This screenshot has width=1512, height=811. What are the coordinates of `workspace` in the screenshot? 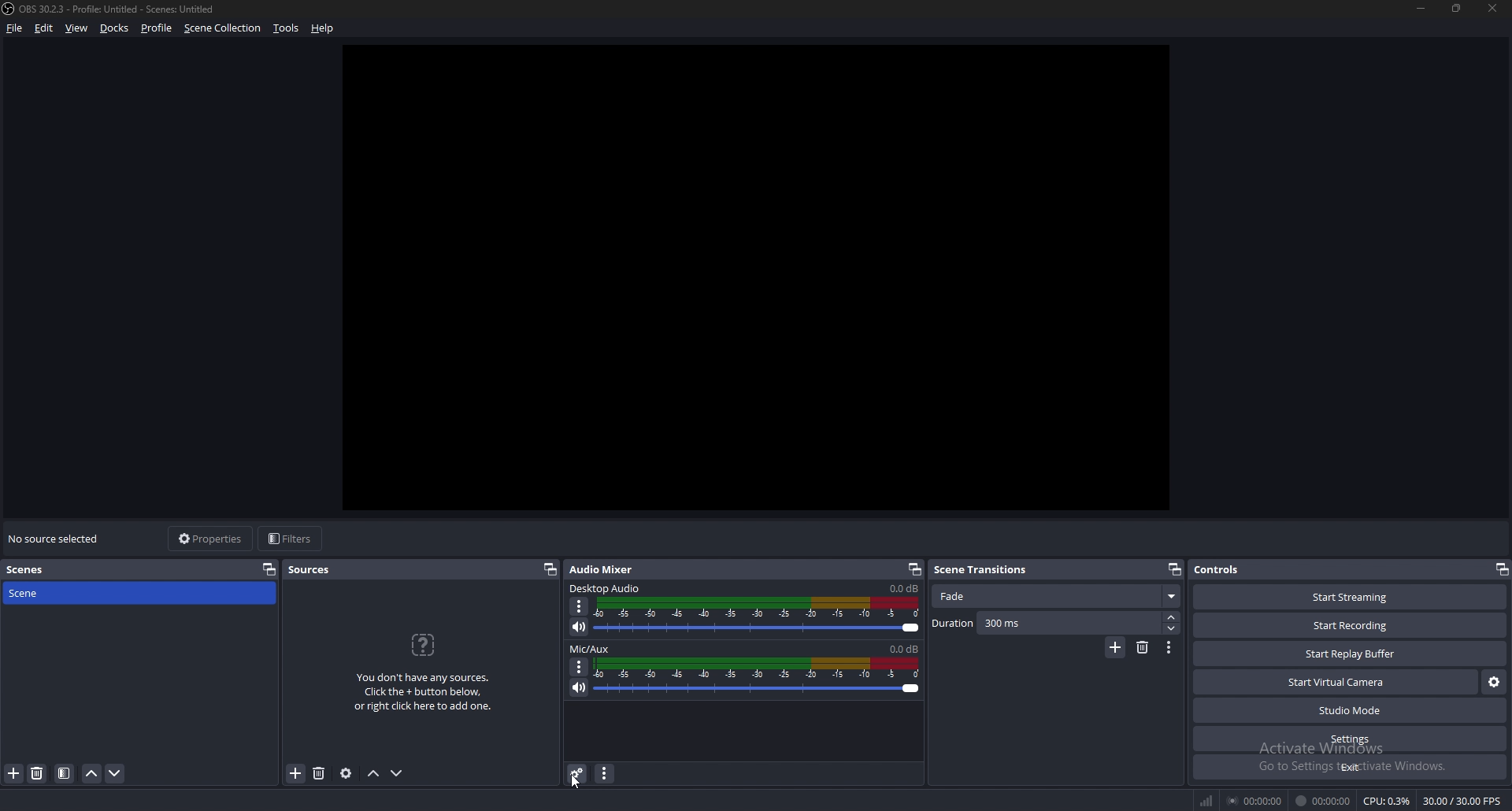 It's located at (773, 277).